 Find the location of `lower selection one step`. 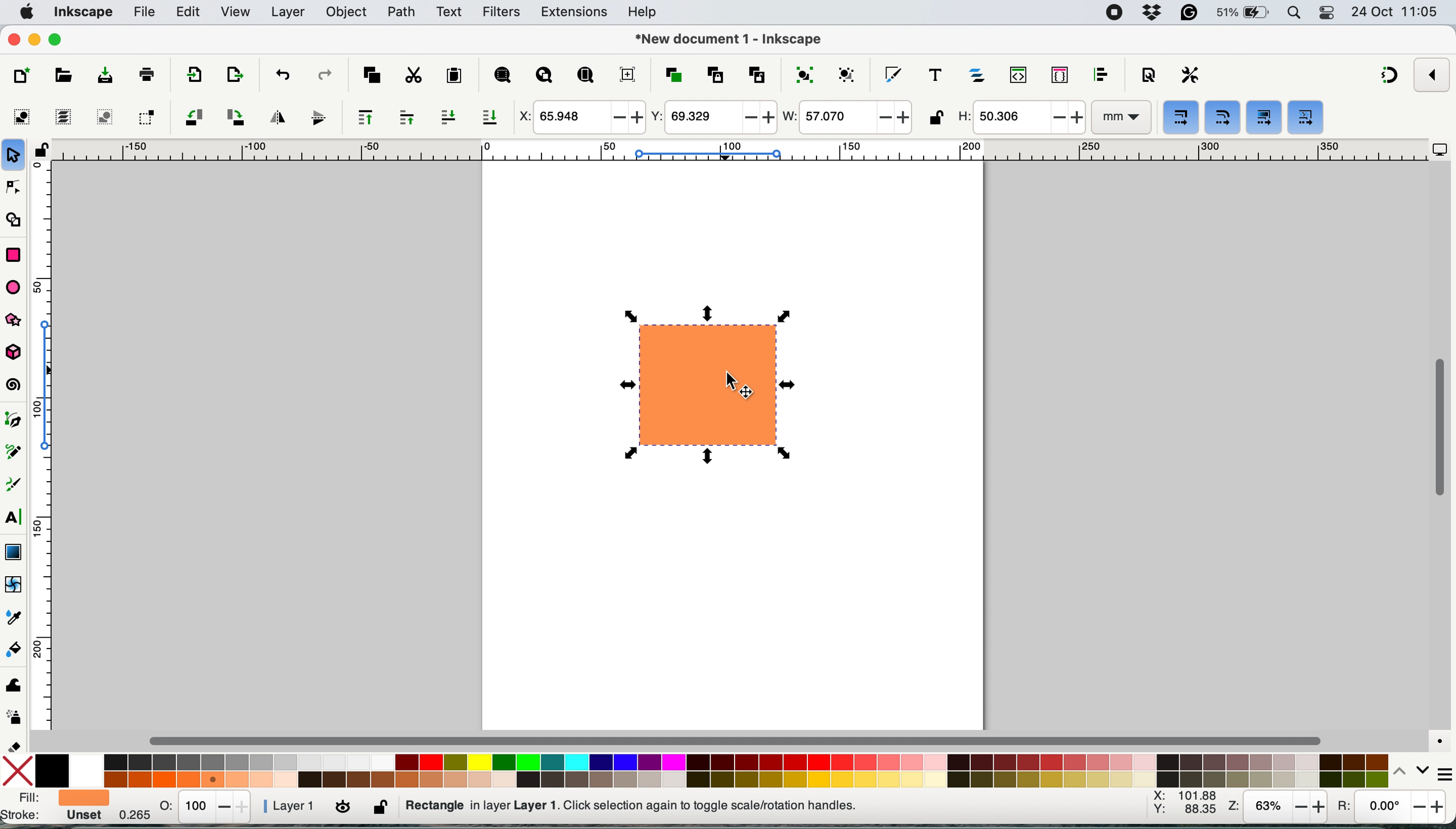

lower selection one step is located at coordinates (448, 117).